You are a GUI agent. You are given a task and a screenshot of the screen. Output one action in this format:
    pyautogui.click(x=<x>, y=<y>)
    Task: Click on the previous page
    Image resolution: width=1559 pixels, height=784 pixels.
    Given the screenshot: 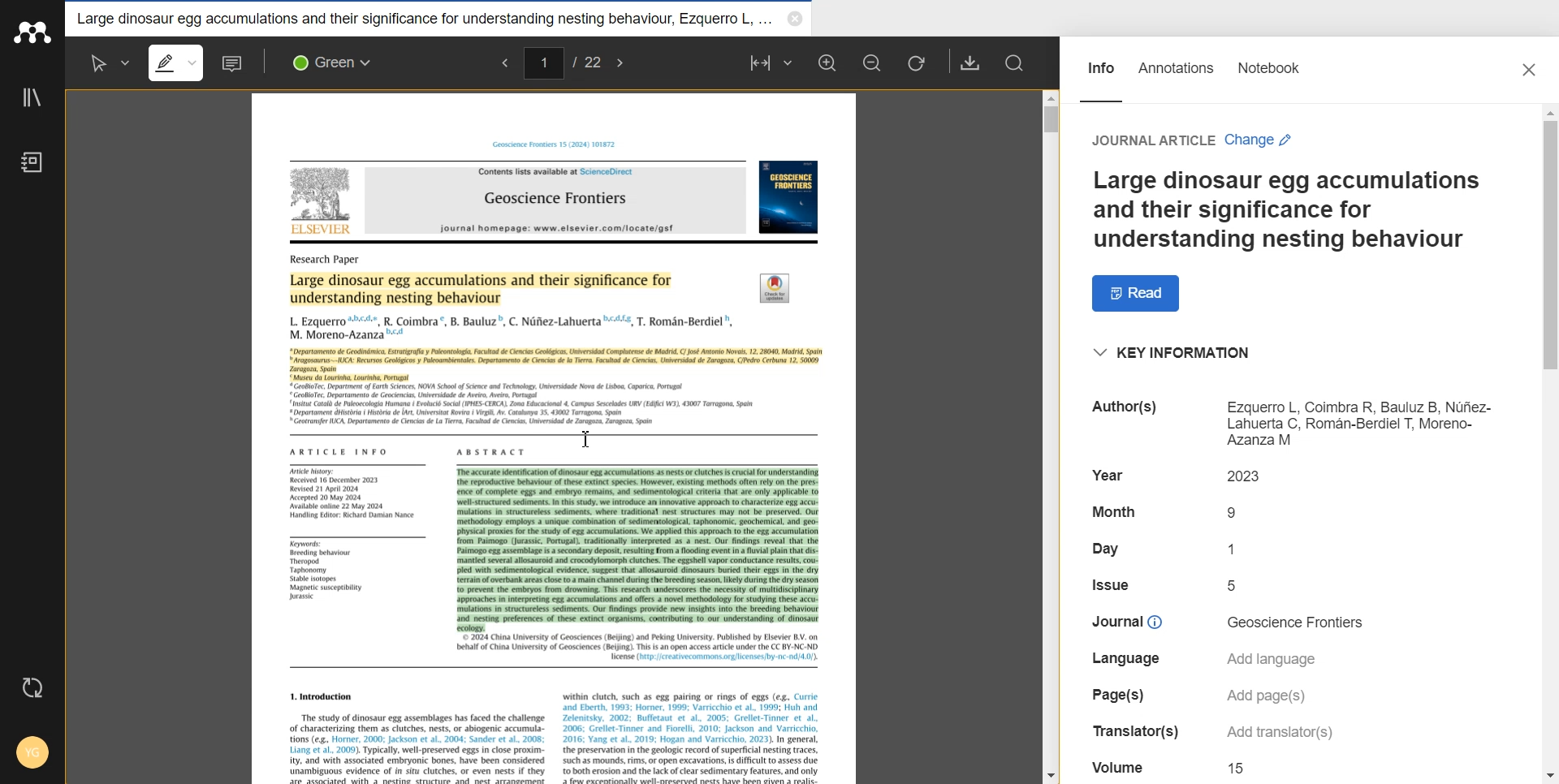 What is the action you would take?
    pyautogui.click(x=501, y=64)
    